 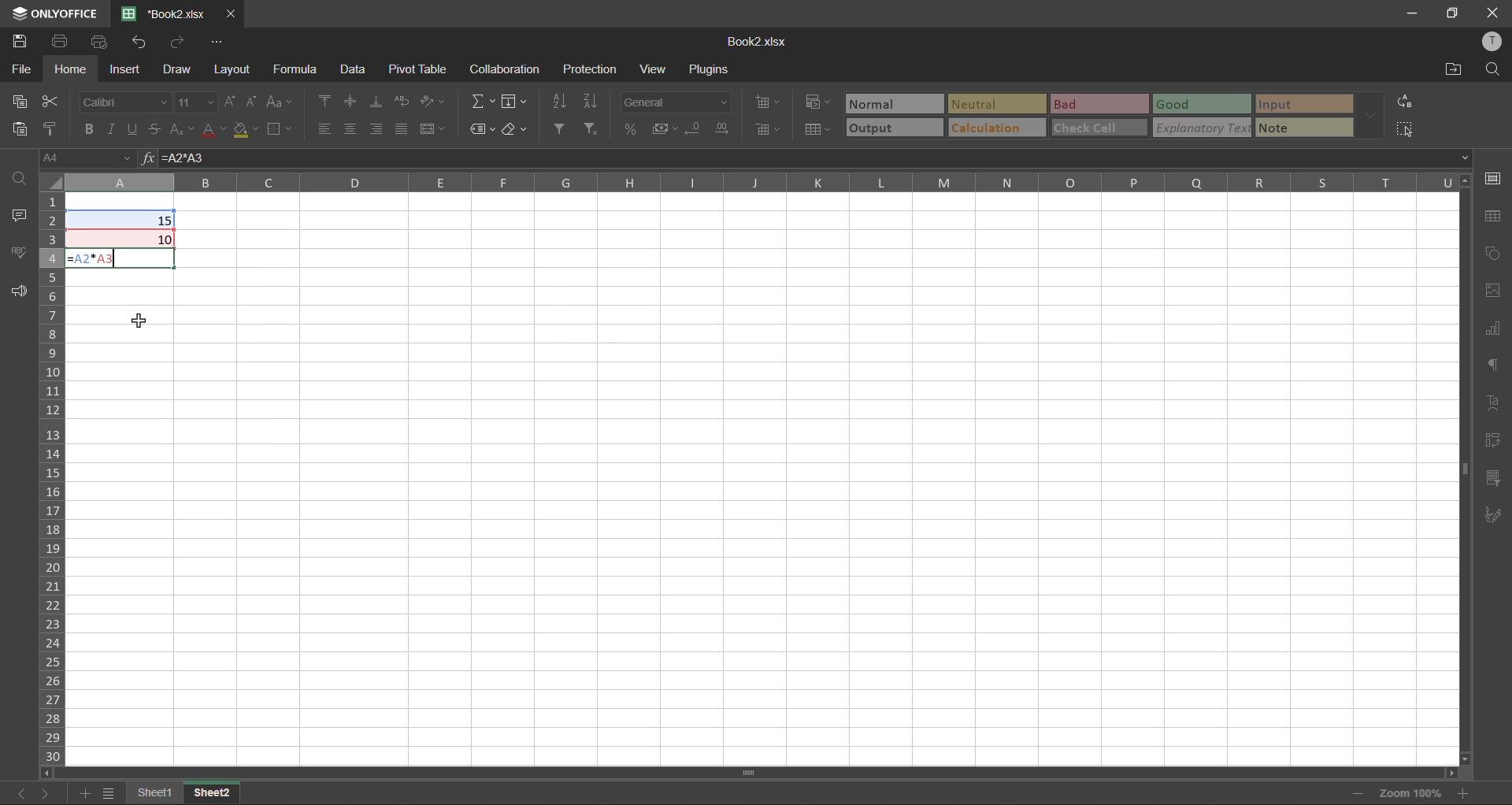 What do you see at coordinates (20, 254) in the screenshot?
I see `spellcheck` at bounding box center [20, 254].